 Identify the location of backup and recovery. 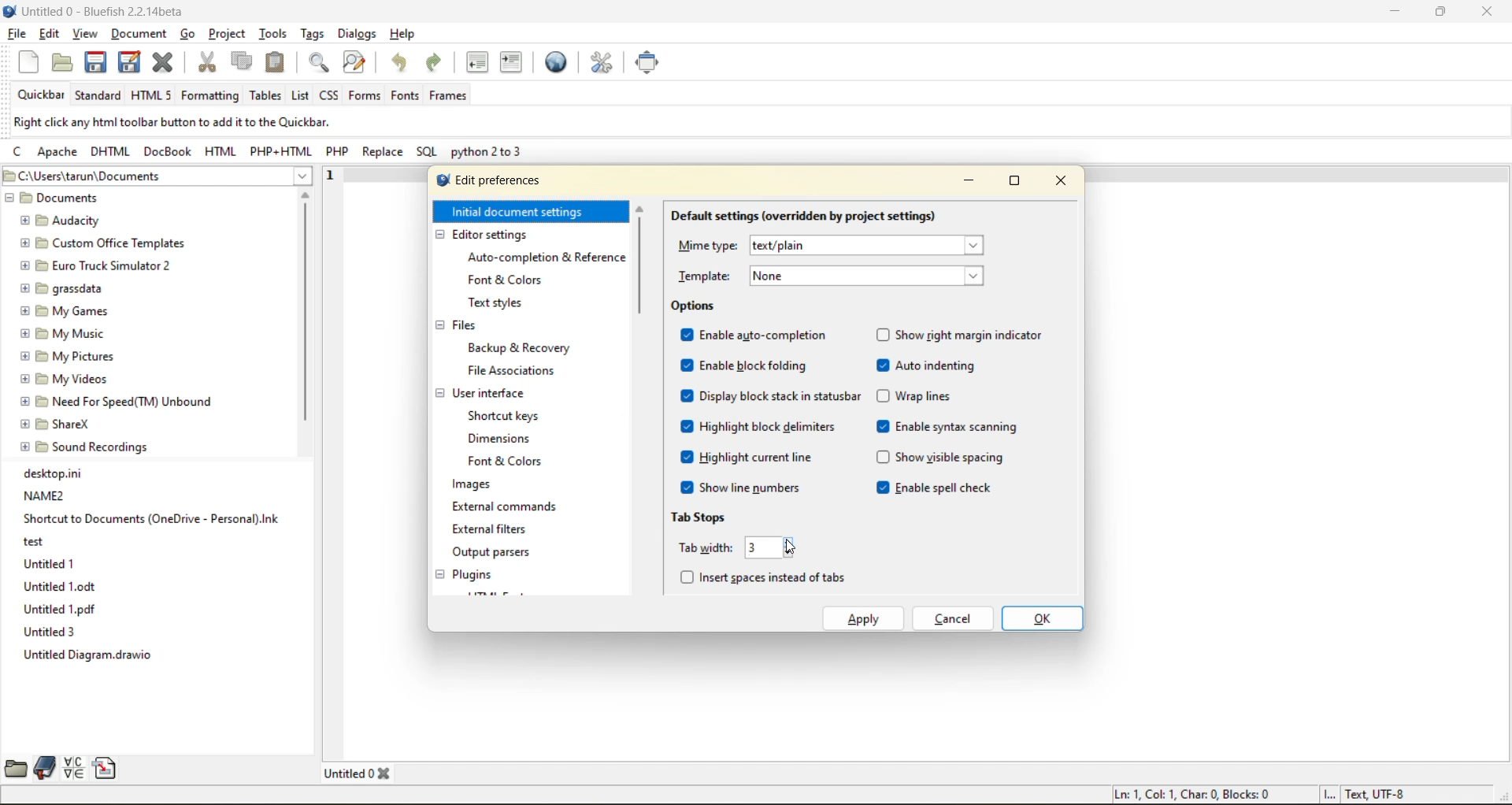
(523, 349).